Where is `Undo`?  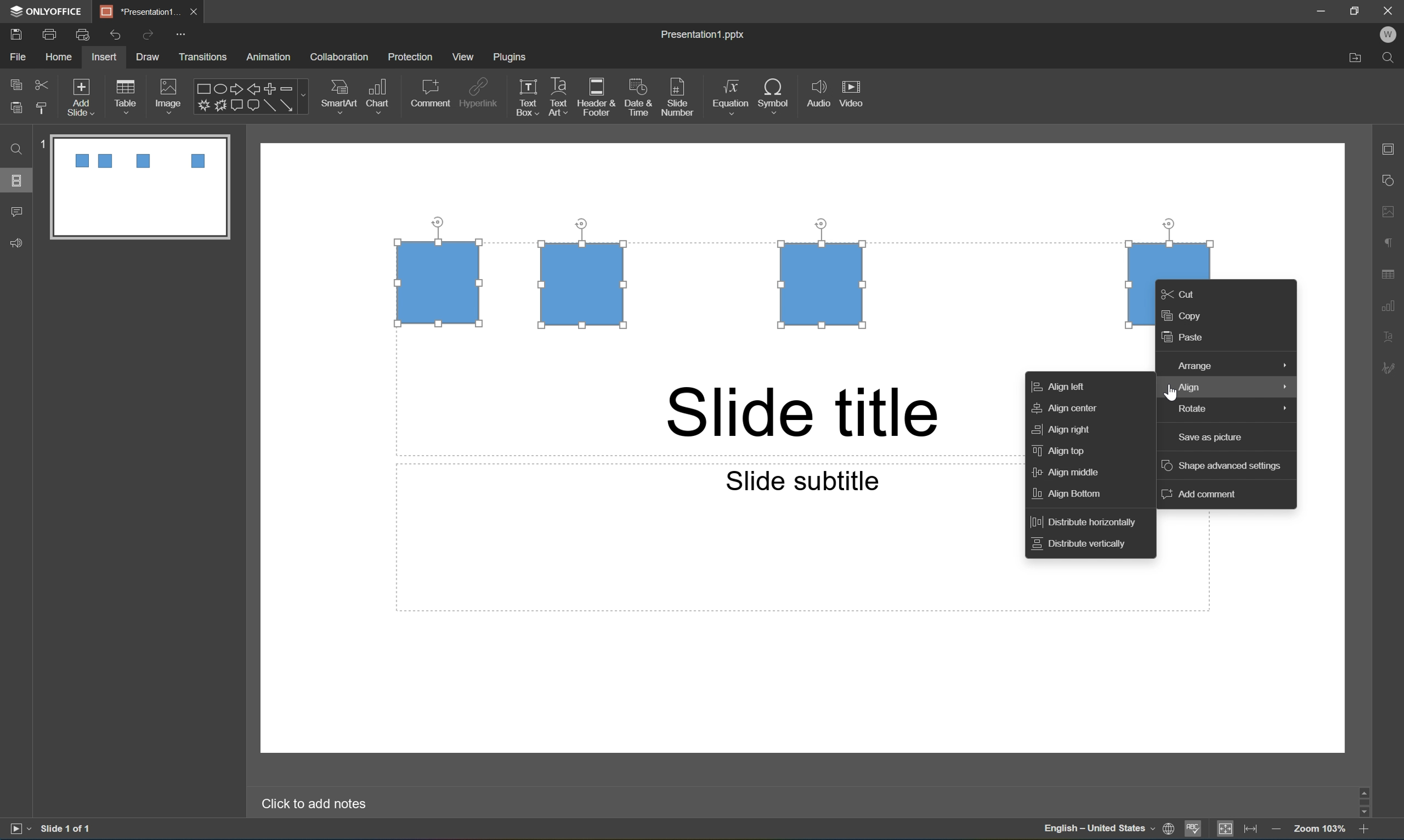
Undo is located at coordinates (115, 33).